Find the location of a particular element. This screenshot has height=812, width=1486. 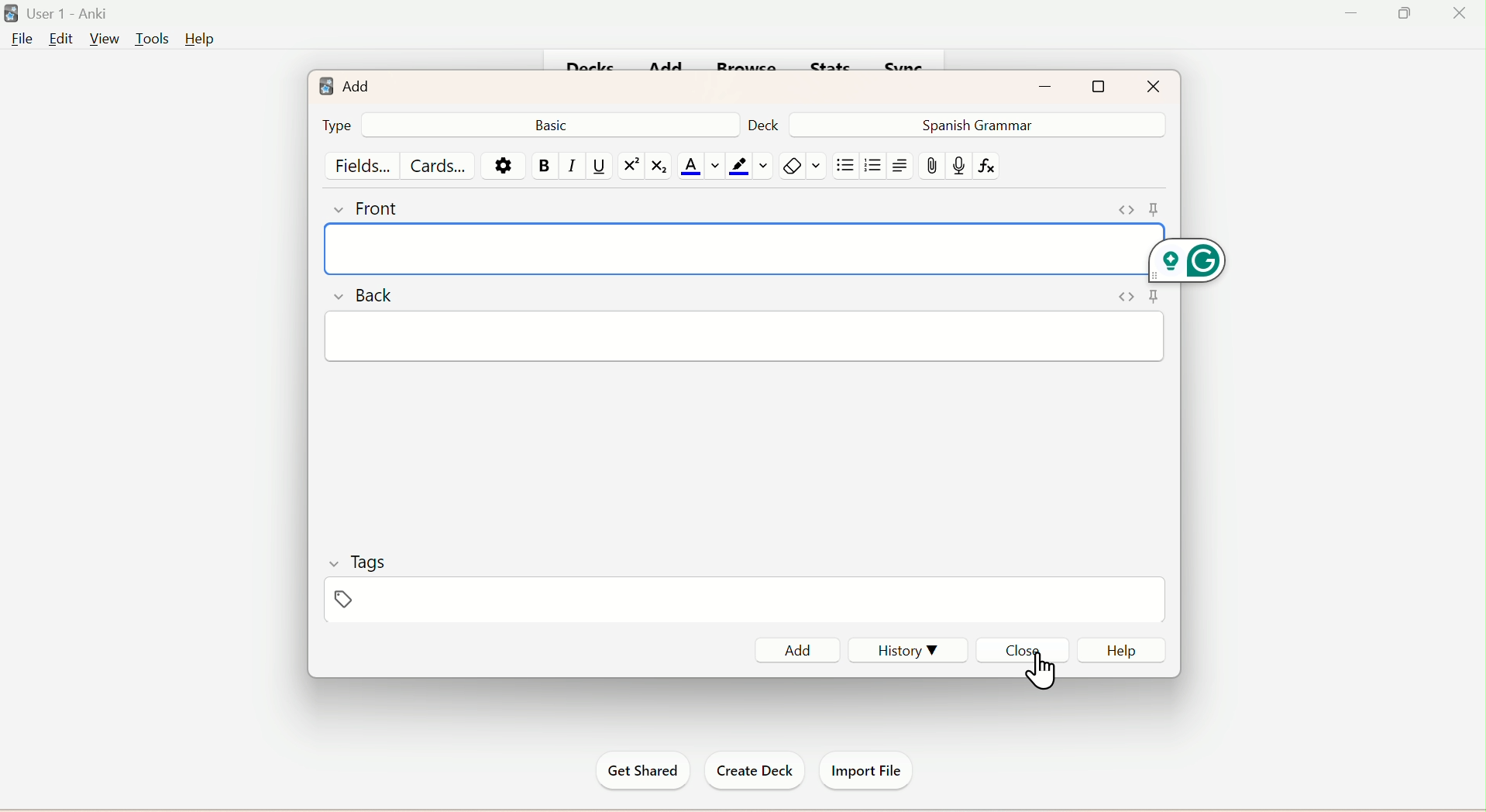

Settings is located at coordinates (500, 165).